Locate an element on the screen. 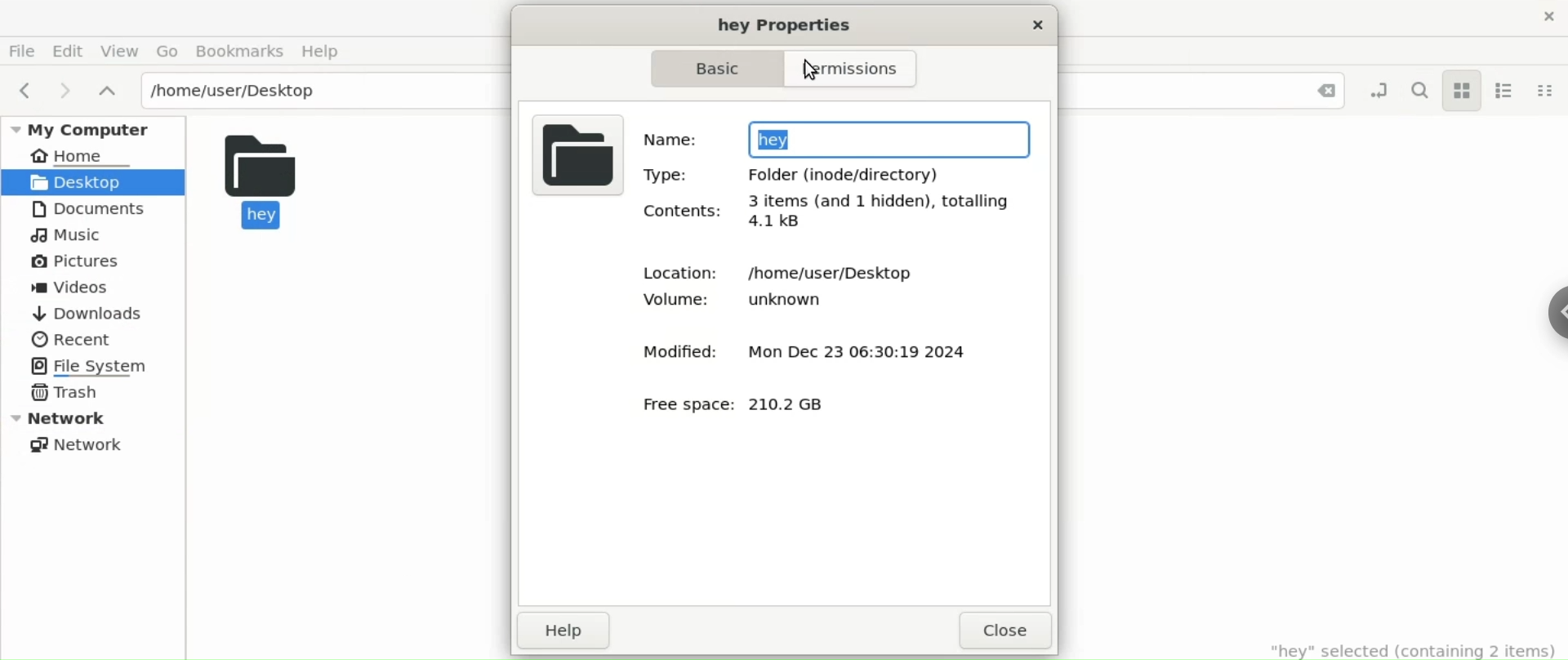  Desktop is located at coordinates (91, 181).